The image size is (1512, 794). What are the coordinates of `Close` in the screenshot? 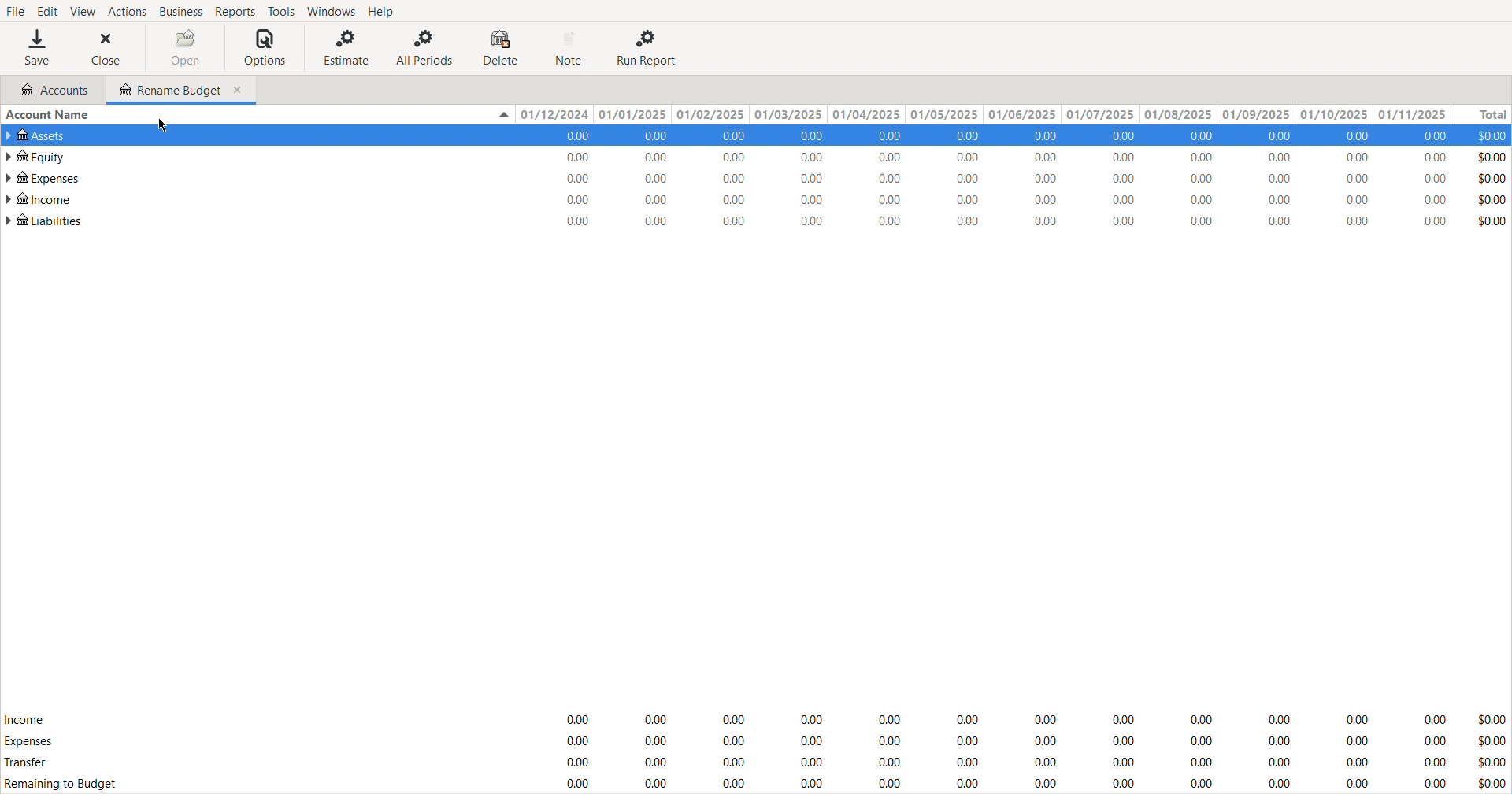 It's located at (110, 48).